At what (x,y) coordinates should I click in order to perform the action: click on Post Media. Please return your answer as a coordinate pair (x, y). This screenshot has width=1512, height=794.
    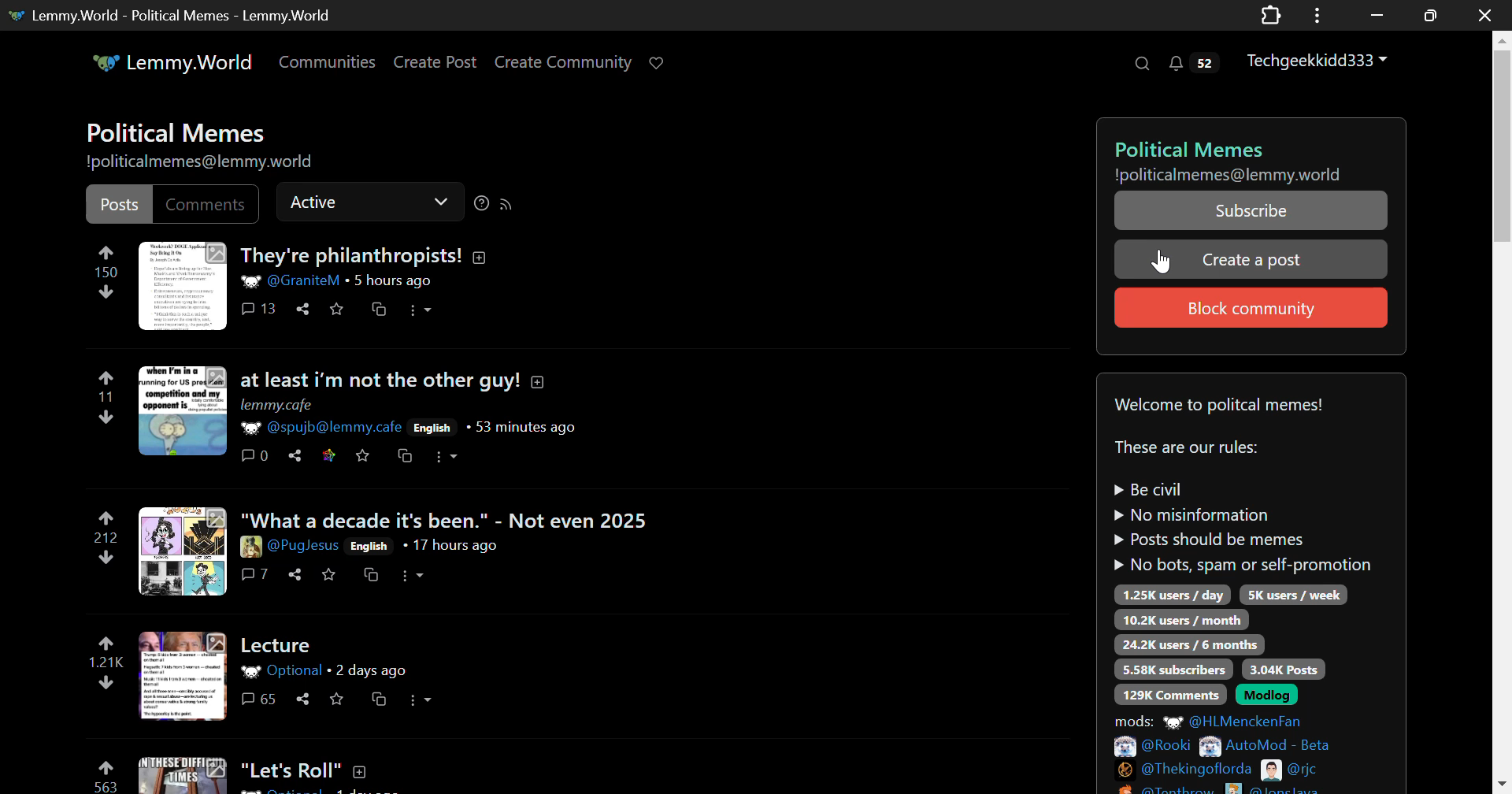
    Looking at the image, I should click on (183, 285).